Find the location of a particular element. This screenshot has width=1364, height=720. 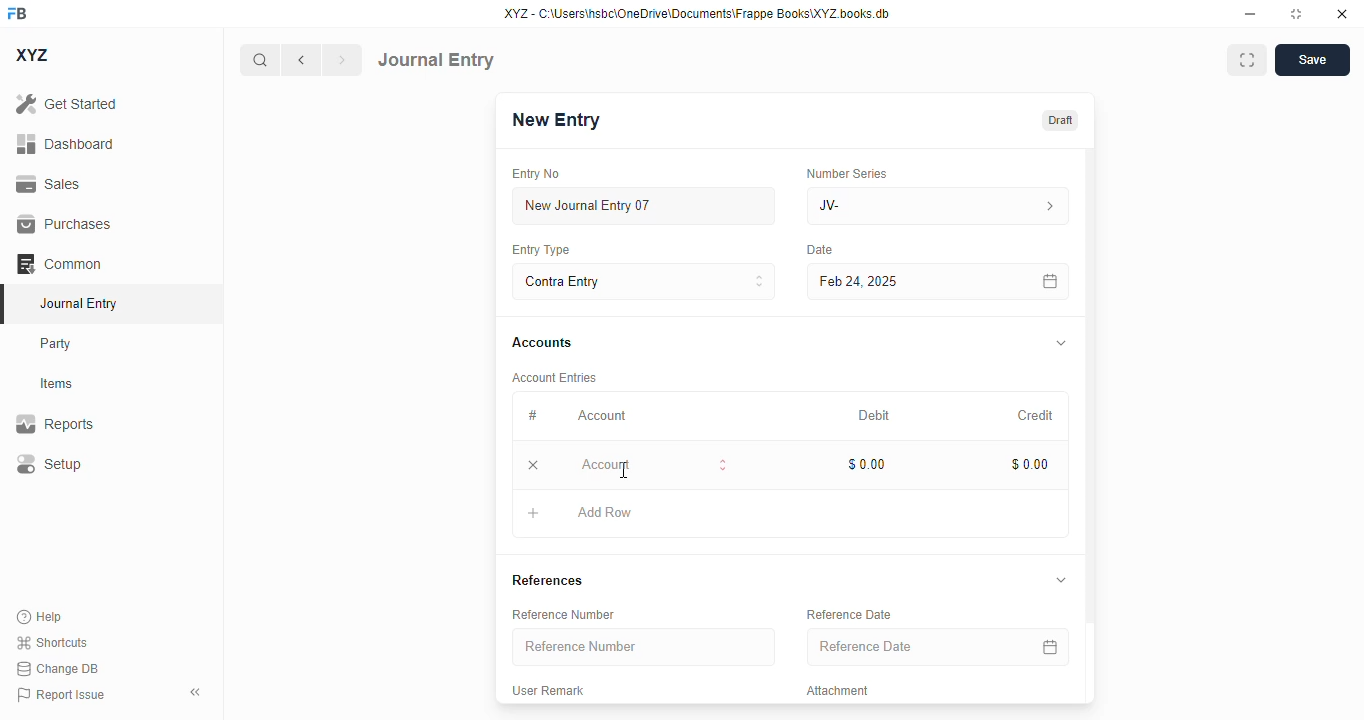

reference number is located at coordinates (645, 647).